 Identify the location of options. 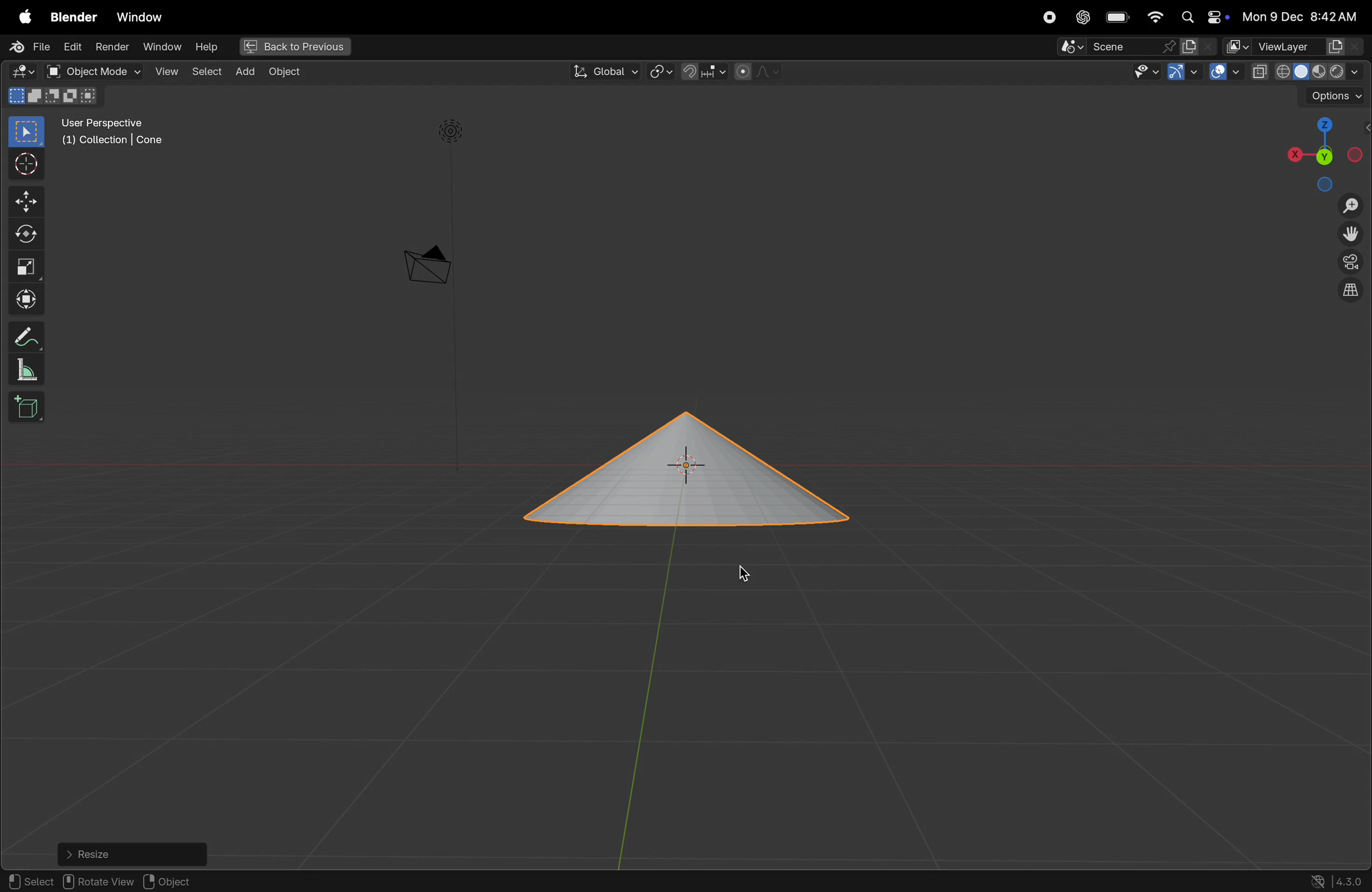
(1336, 96).